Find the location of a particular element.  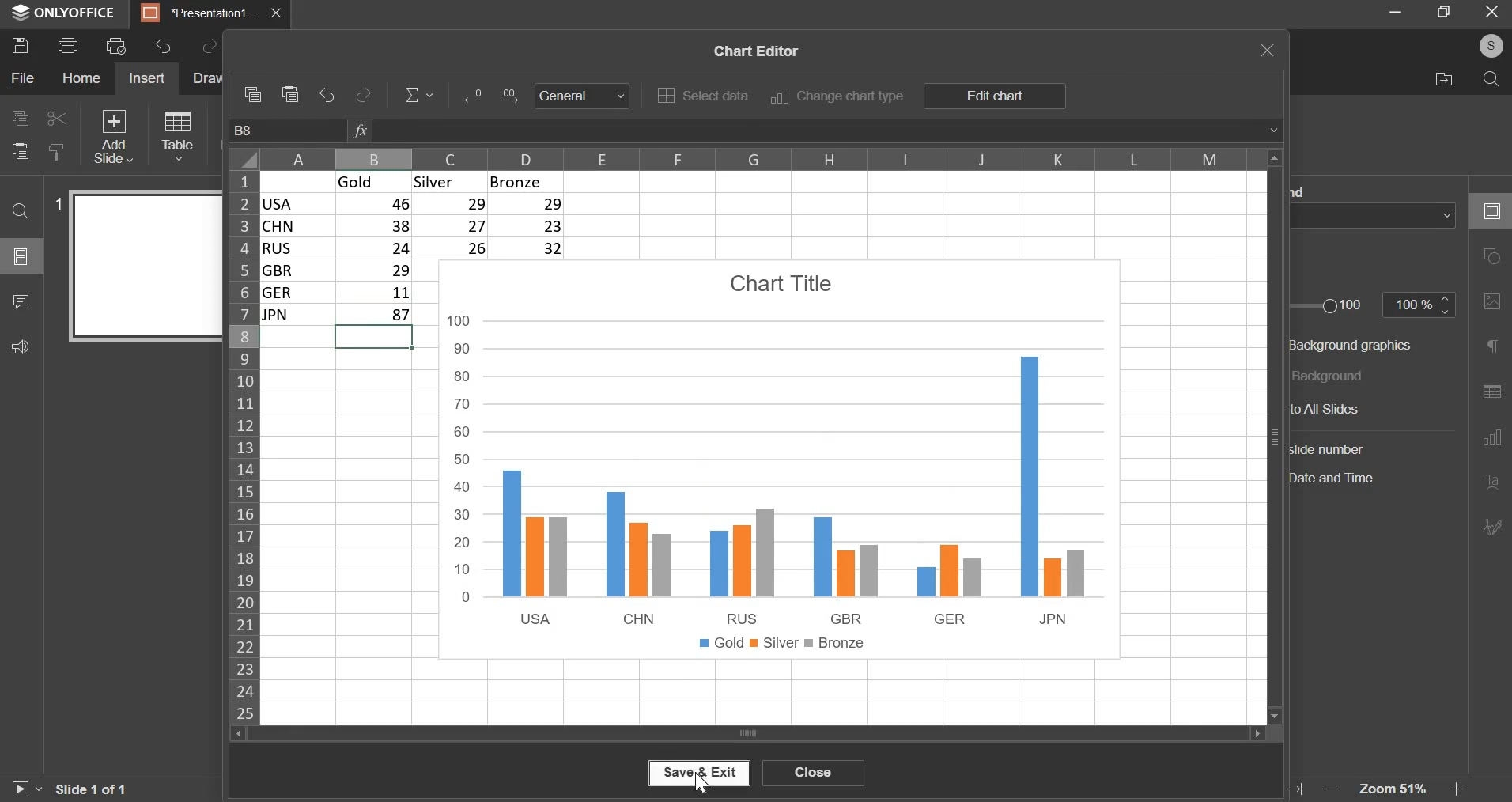

jpn is located at coordinates (297, 316).